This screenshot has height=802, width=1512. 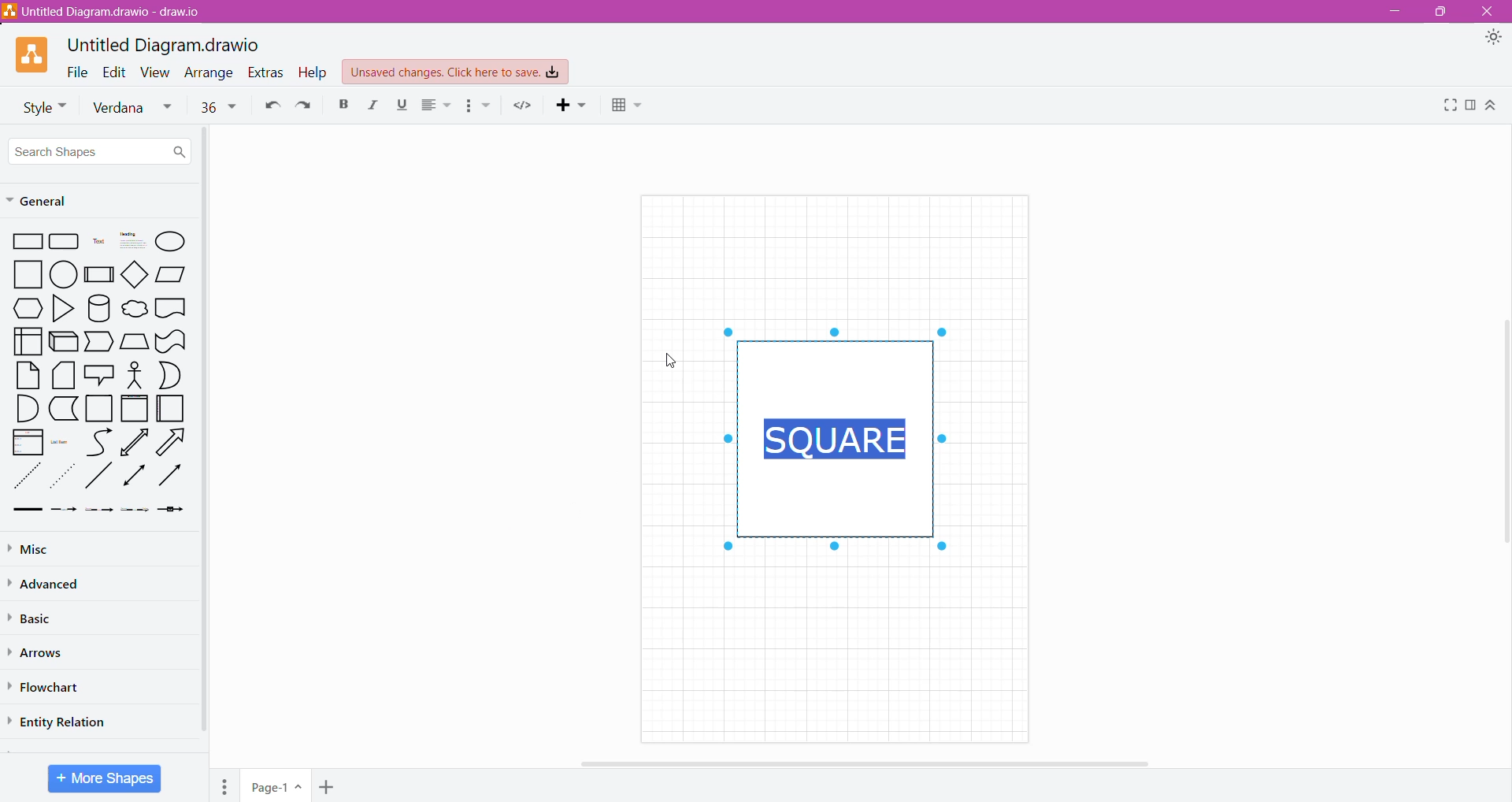 I want to click on Bold, so click(x=342, y=107).